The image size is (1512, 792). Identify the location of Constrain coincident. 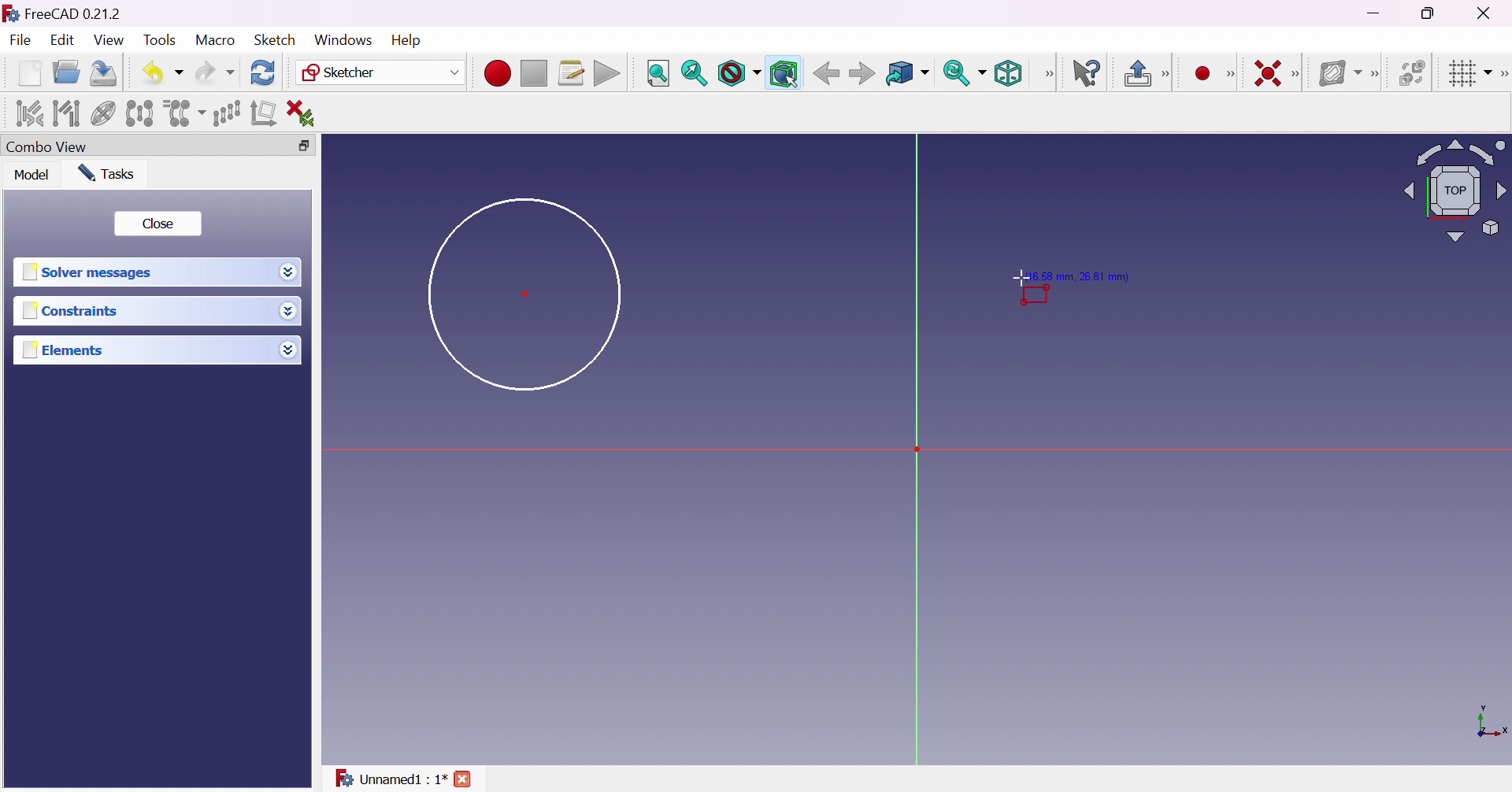
(1266, 73).